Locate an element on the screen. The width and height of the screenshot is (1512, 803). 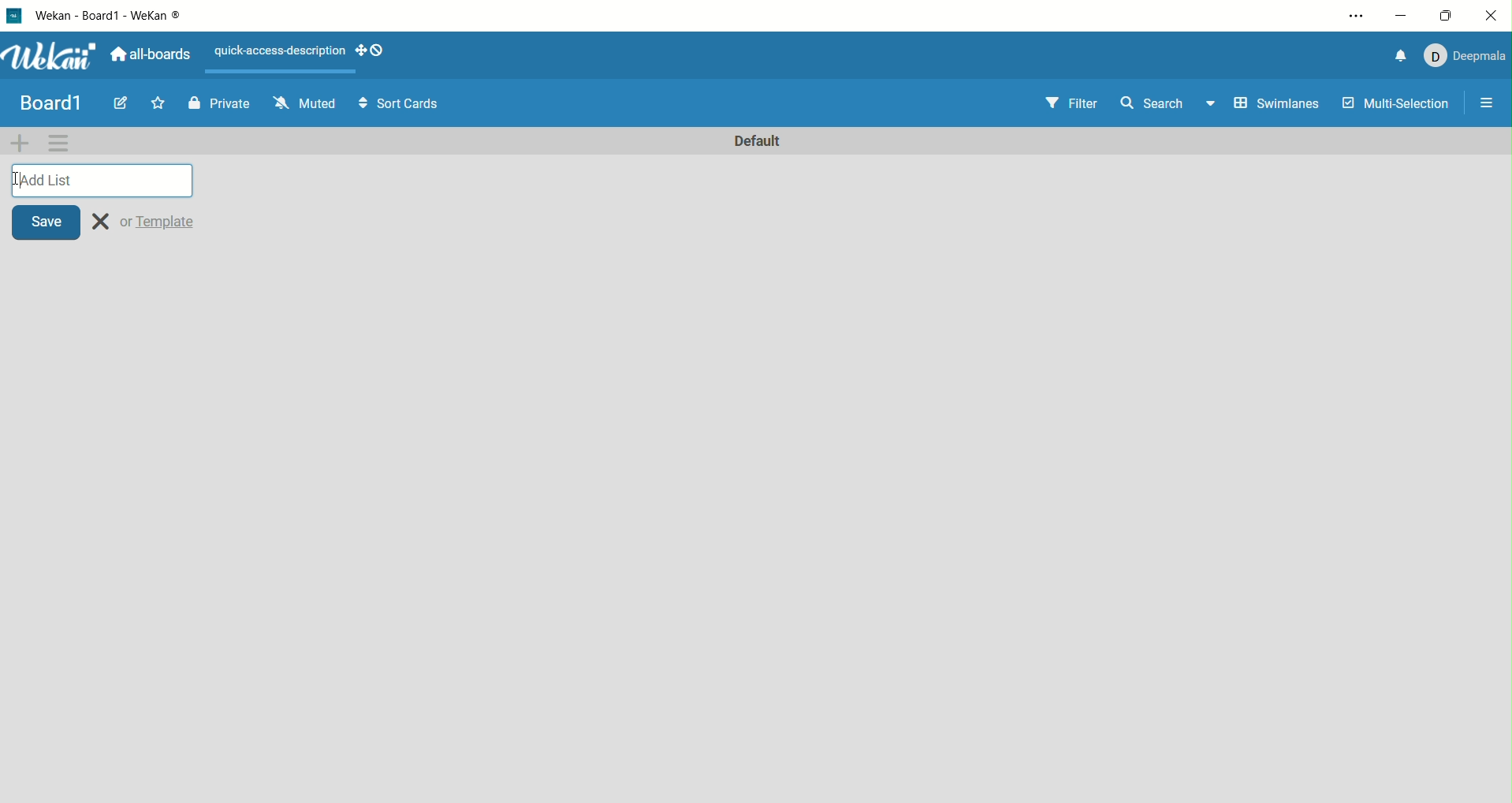
multi-selection is located at coordinates (1398, 104).